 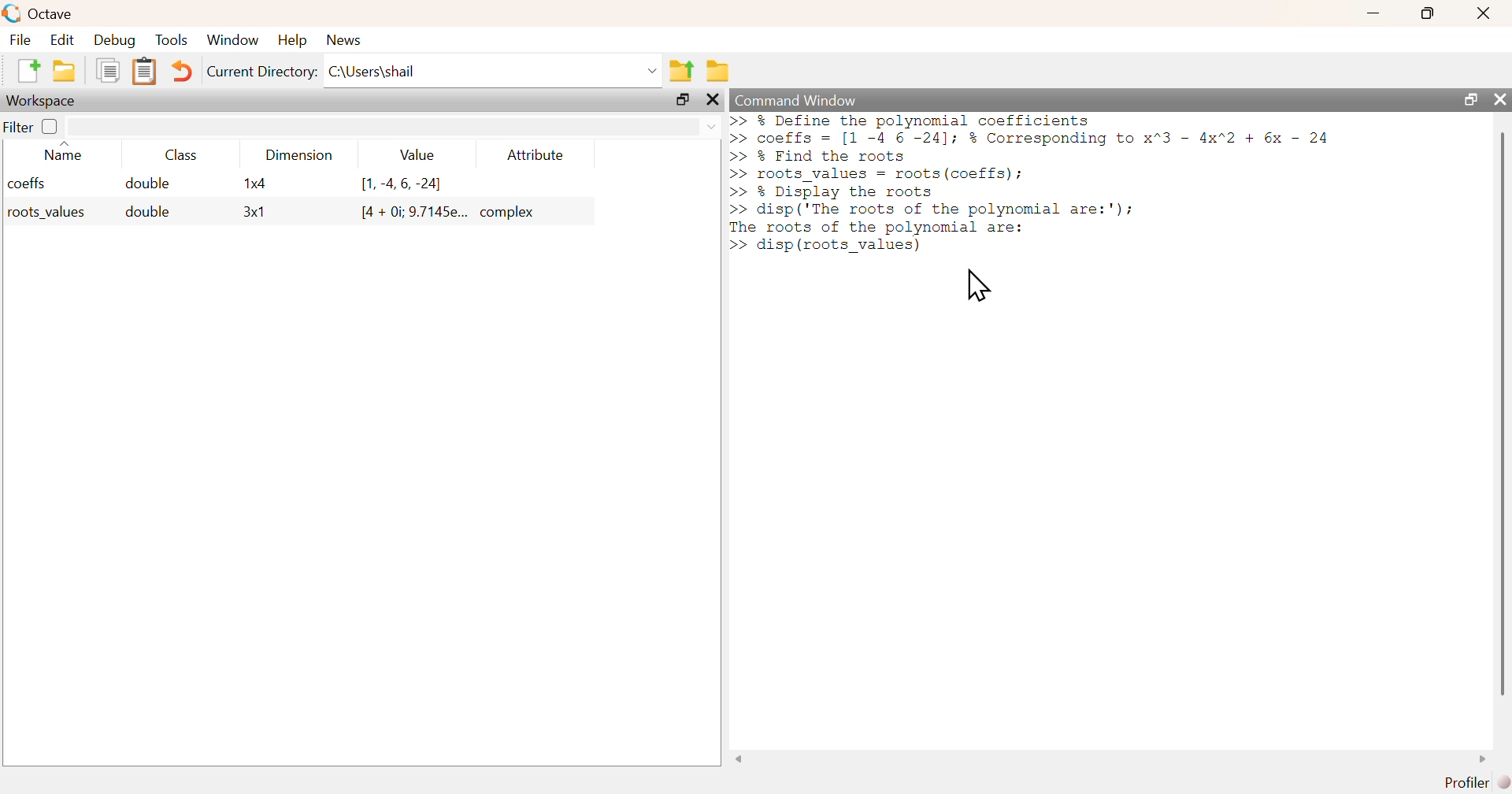 I want to click on 1x4, so click(x=254, y=184).